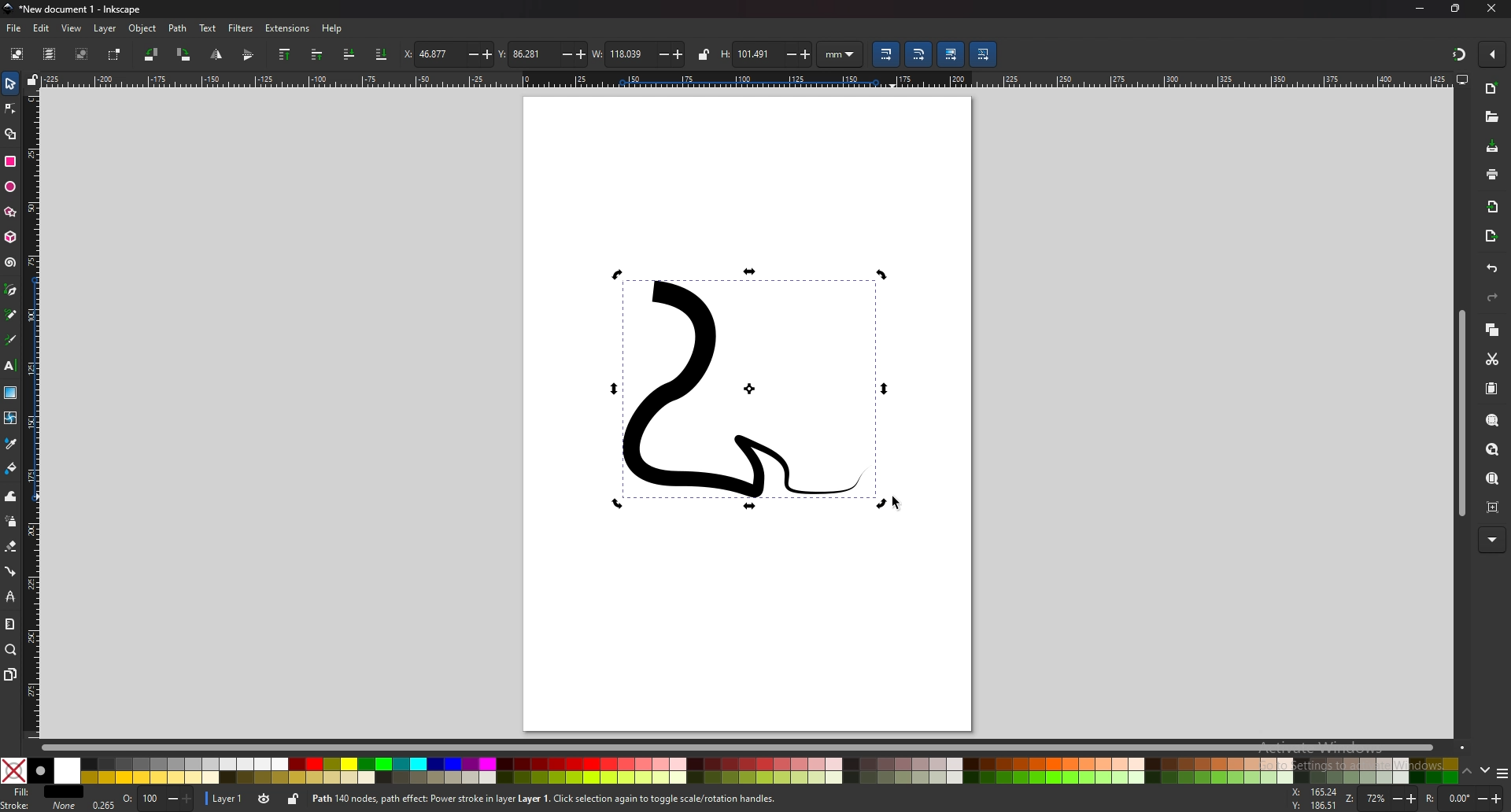 This screenshot has height=812, width=1511. What do you see at coordinates (10, 546) in the screenshot?
I see `eraser` at bounding box center [10, 546].